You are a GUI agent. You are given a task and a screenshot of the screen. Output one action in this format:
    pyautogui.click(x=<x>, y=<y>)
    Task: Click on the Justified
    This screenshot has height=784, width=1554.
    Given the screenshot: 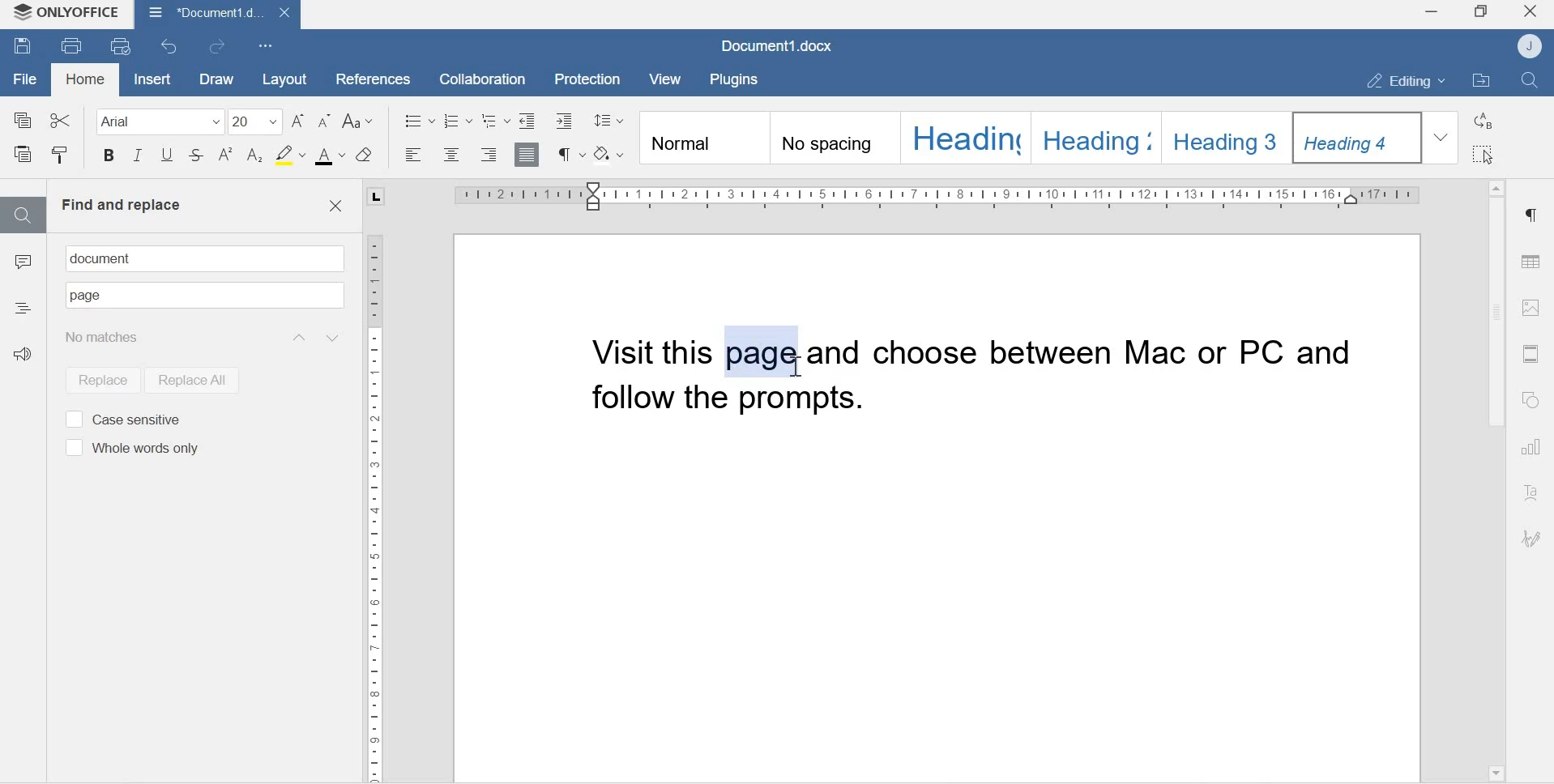 What is the action you would take?
    pyautogui.click(x=527, y=153)
    